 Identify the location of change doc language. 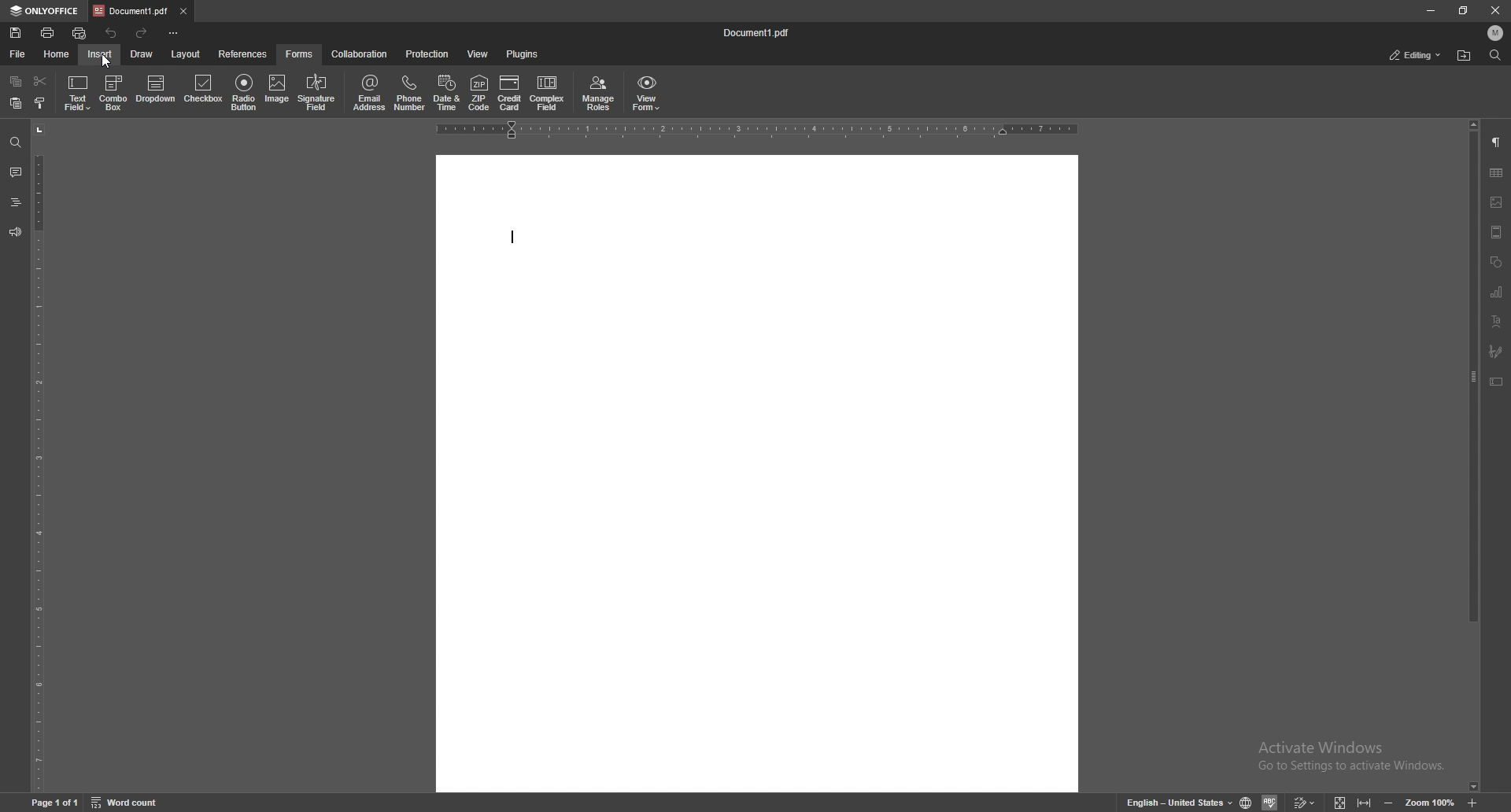
(1247, 803).